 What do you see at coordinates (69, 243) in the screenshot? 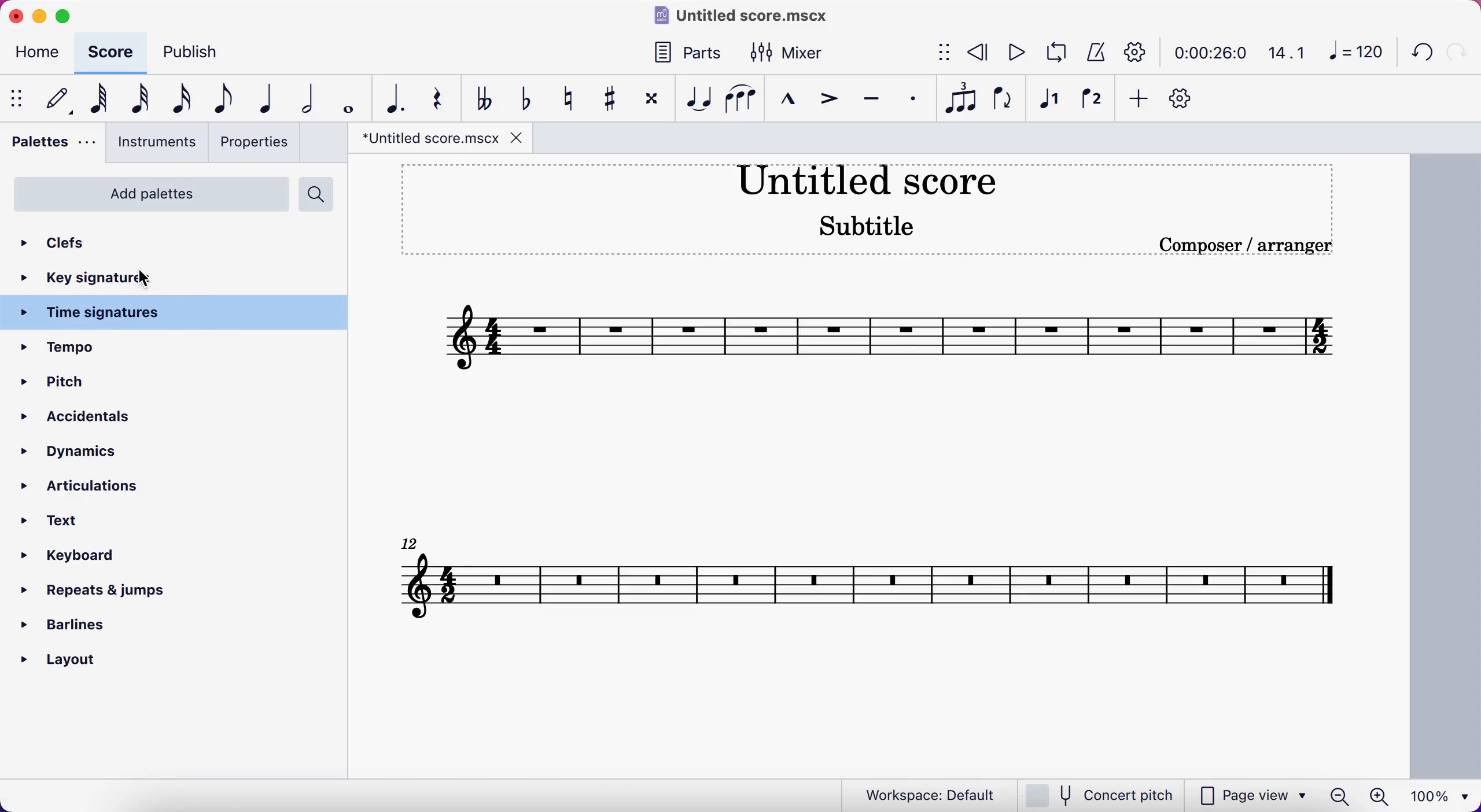
I see `clefs` at bounding box center [69, 243].